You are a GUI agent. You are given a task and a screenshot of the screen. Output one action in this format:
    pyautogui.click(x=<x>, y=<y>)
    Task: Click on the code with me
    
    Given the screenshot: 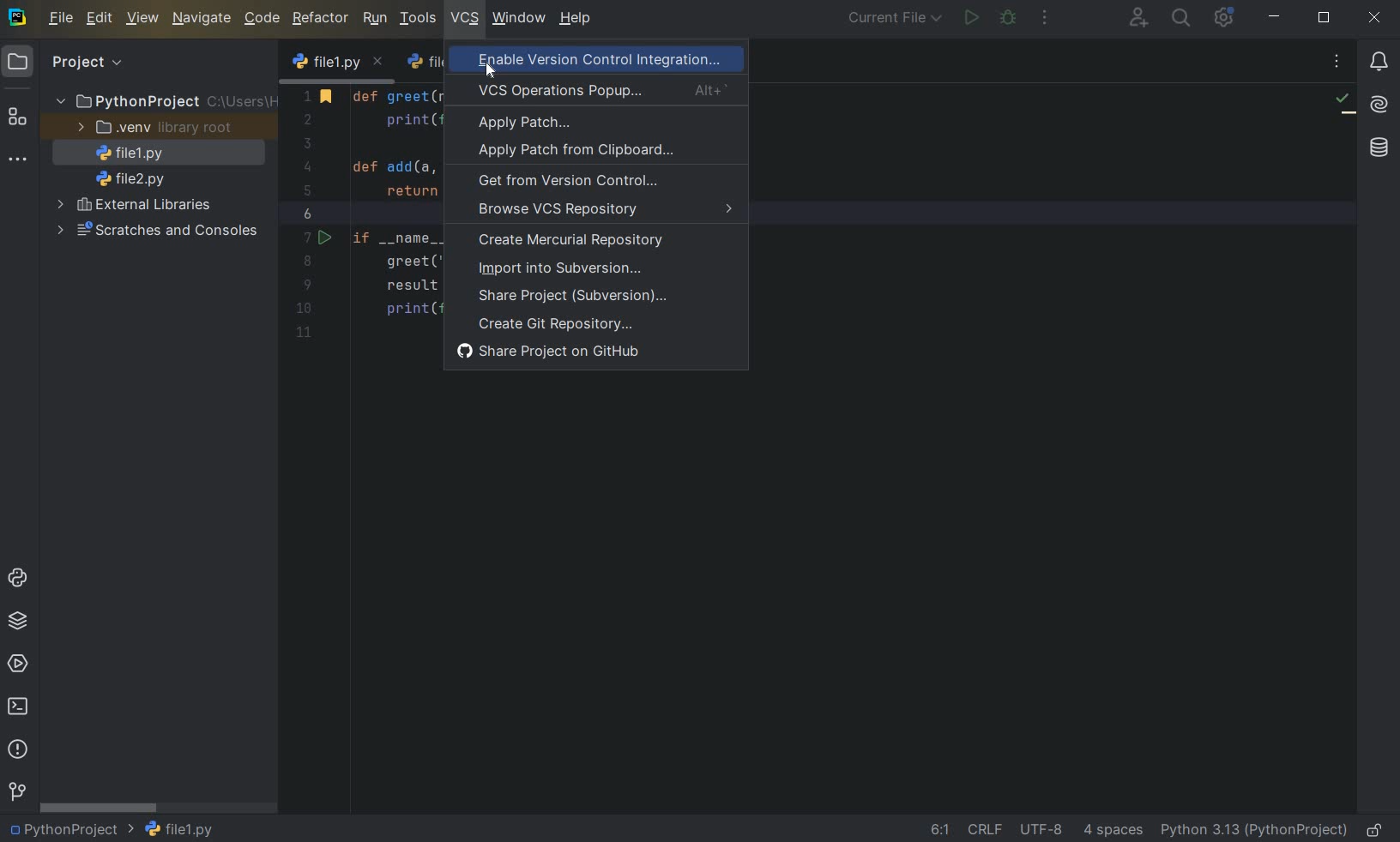 What is the action you would take?
    pyautogui.click(x=1137, y=20)
    